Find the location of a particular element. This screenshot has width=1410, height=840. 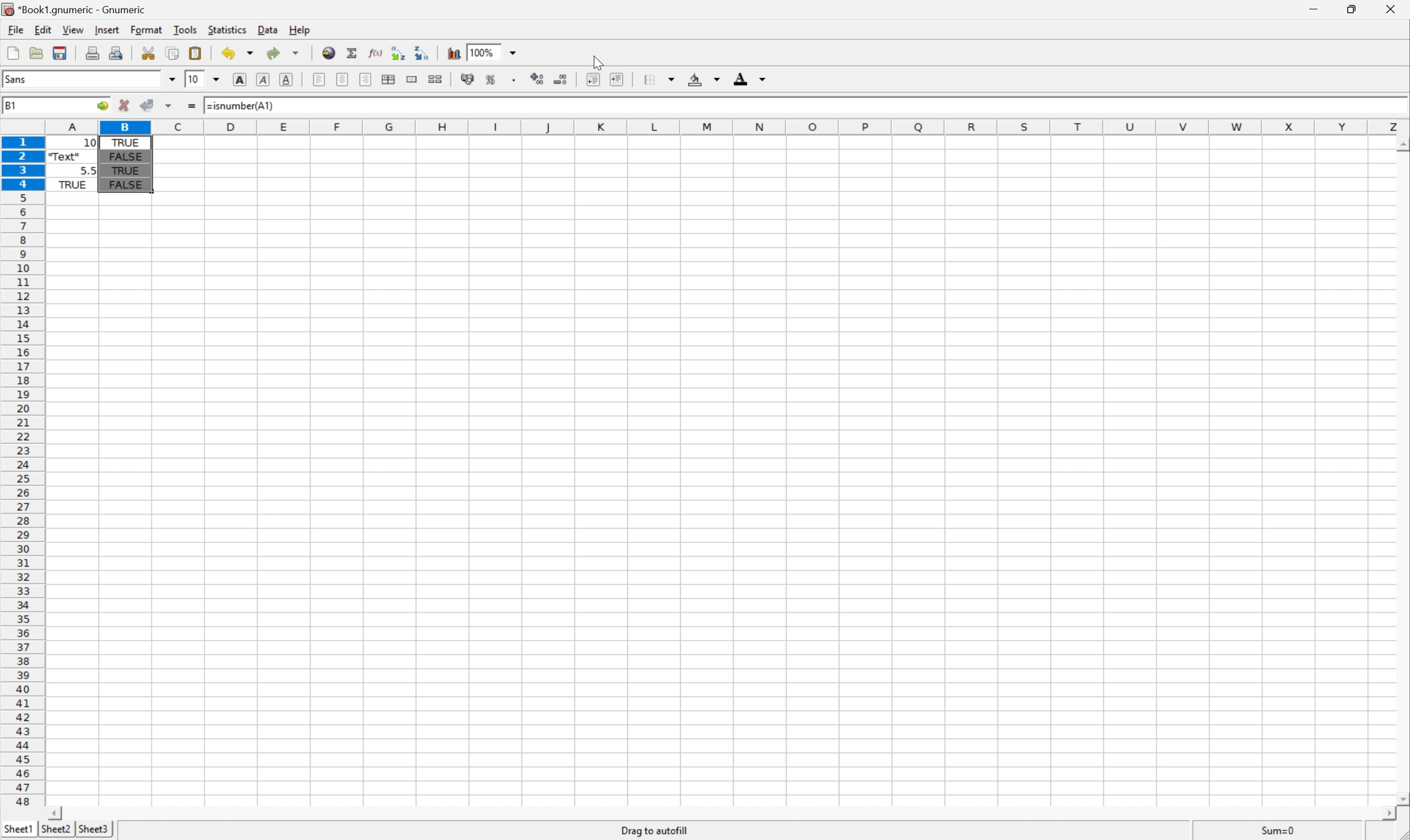

Underline is located at coordinates (287, 79).